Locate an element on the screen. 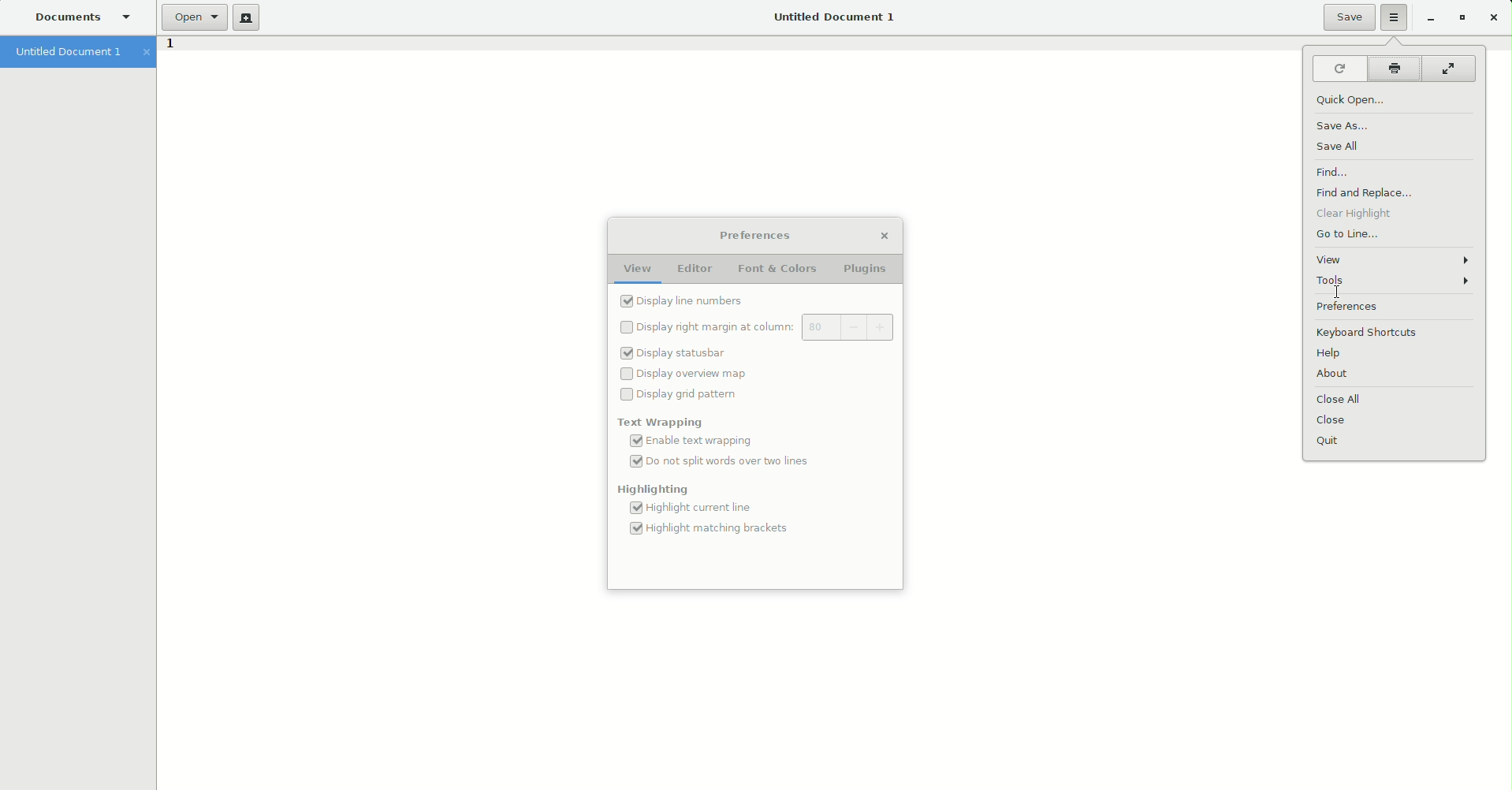 The image size is (1512, 790). Close is located at coordinates (884, 237).